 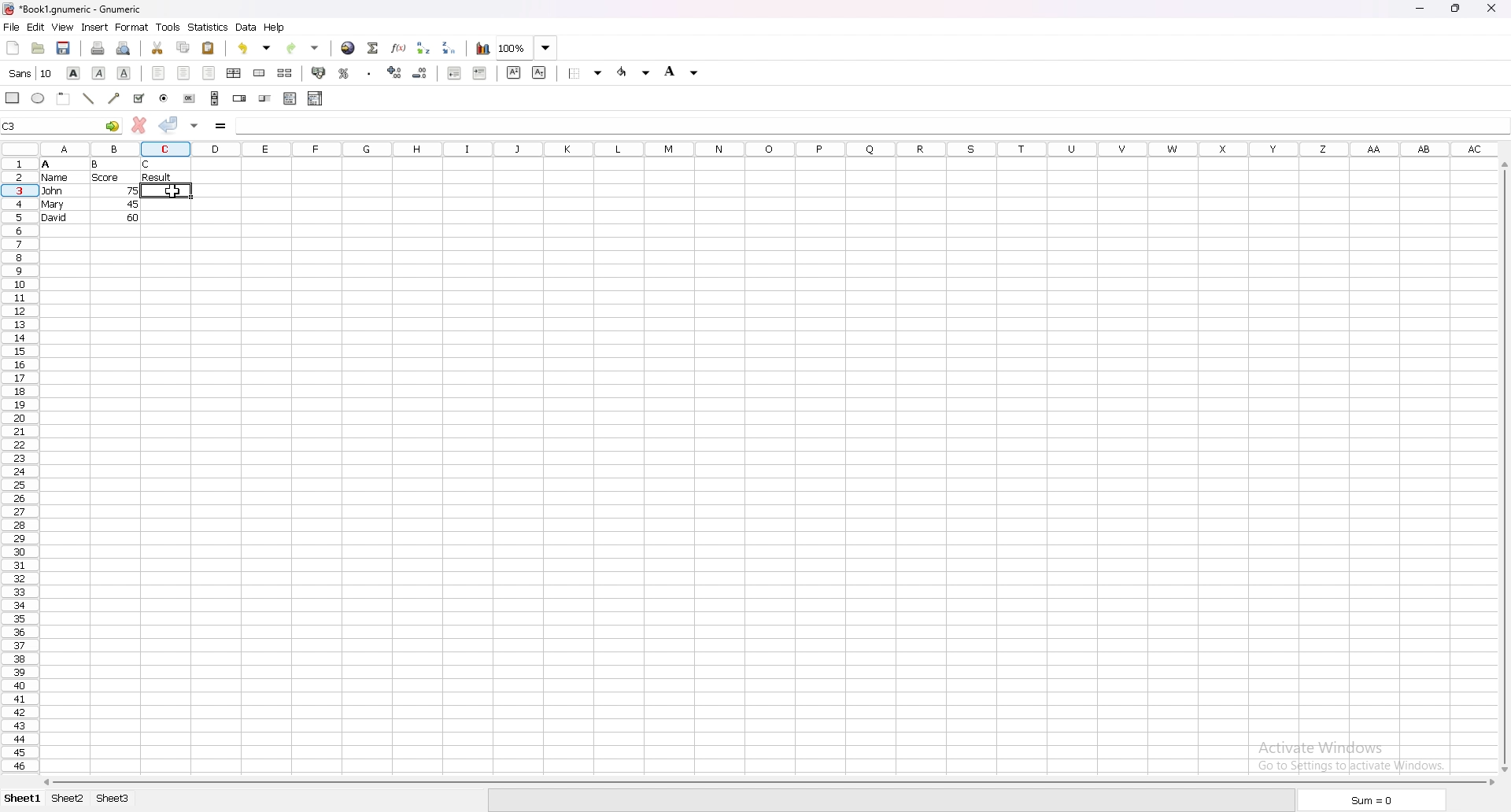 I want to click on file name, so click(x=74, y=9).